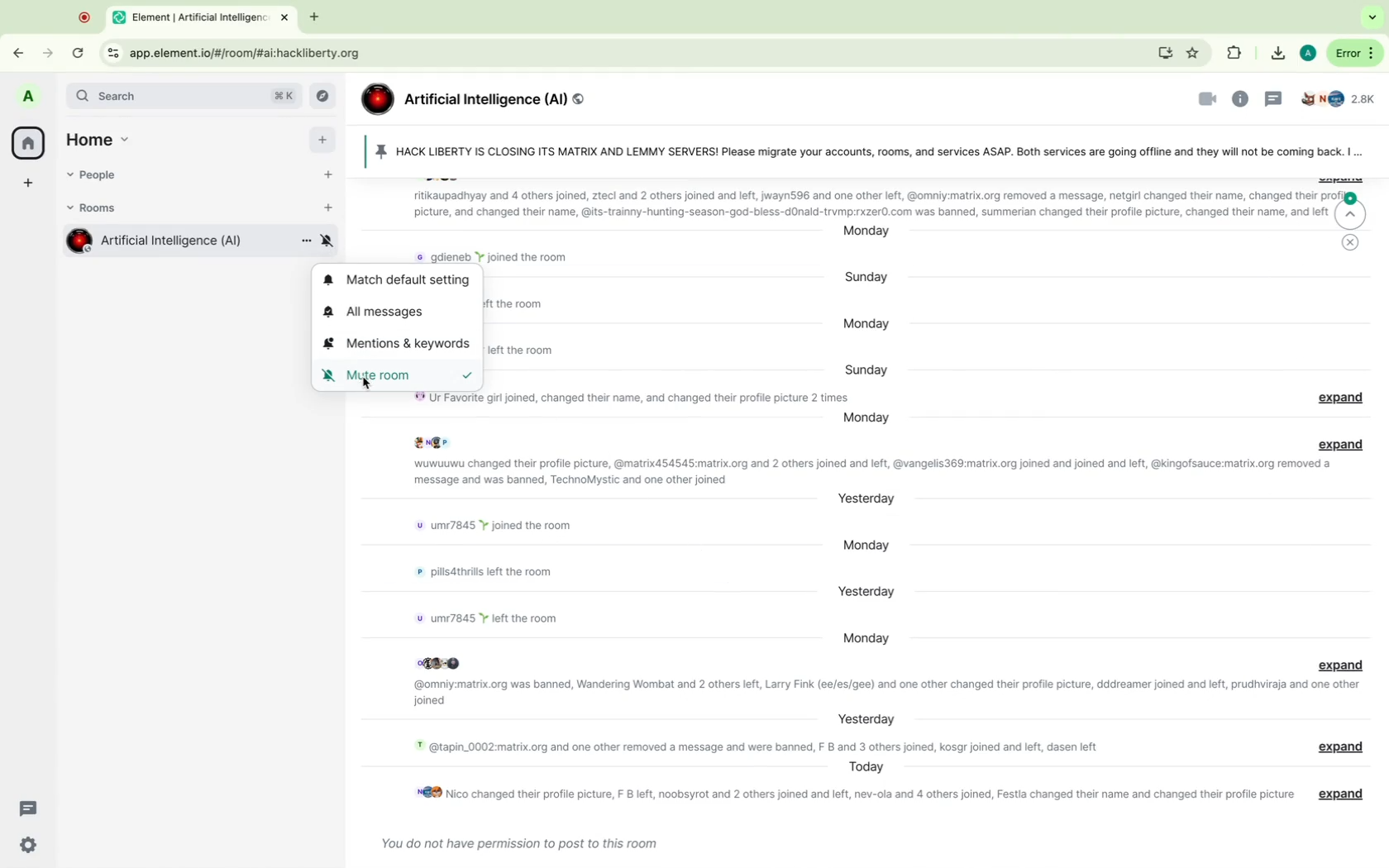 This screenshot has height=868, width=1389. I want to click on day, so click(867, 594).